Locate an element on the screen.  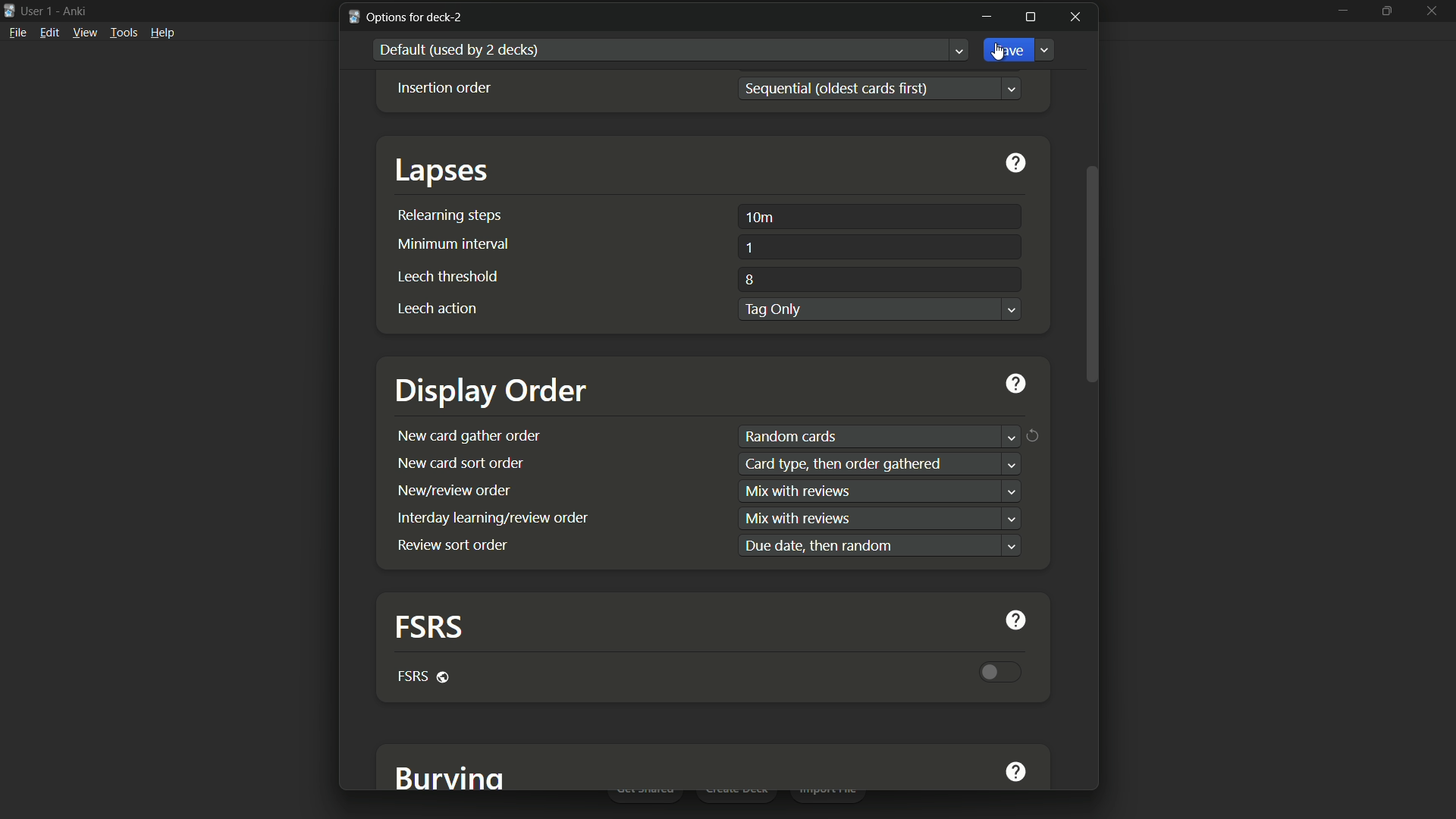
1 is located at coordinates (750, 248).